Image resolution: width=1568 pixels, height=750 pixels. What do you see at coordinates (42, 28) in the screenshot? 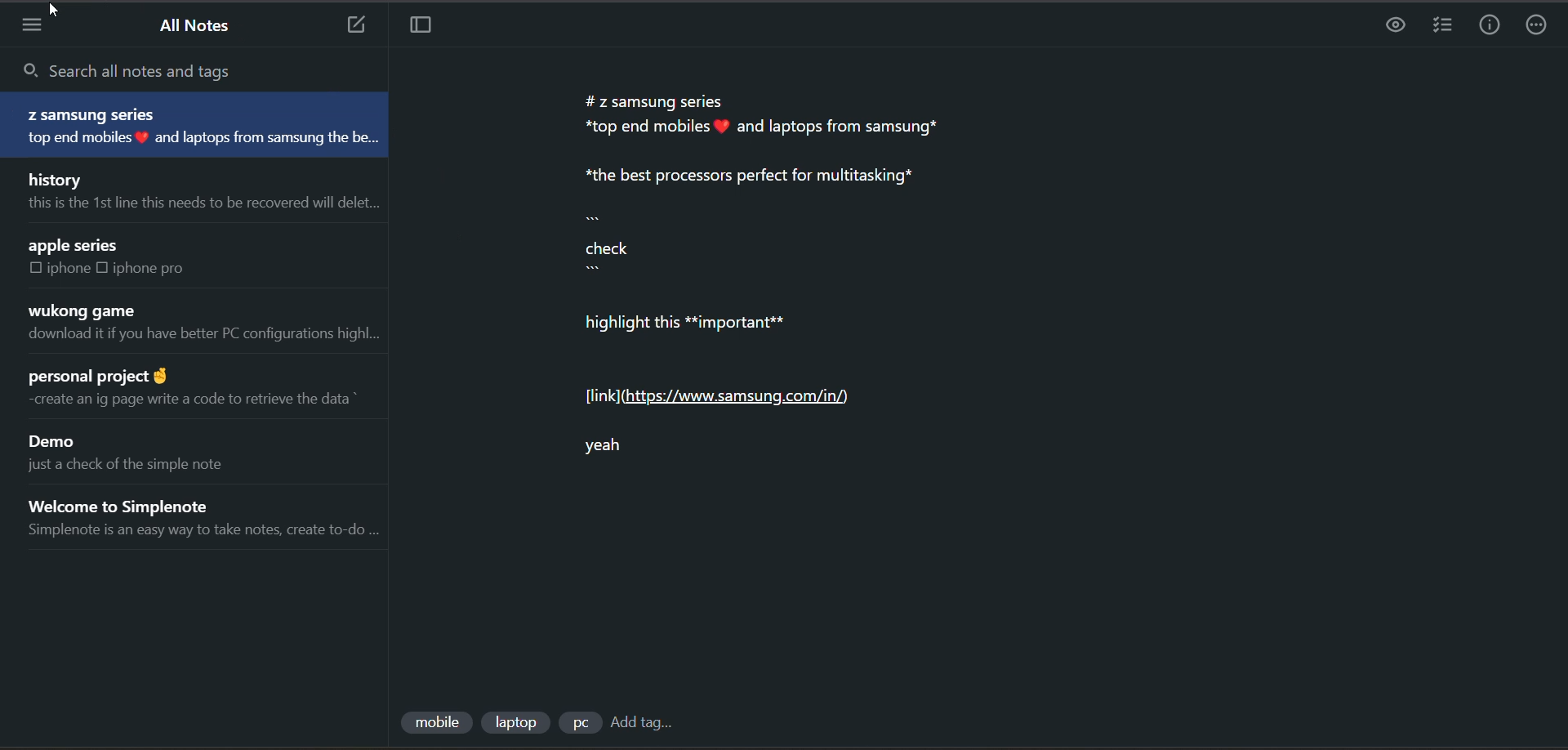
I see `menu` at bounding box center [42, 28].